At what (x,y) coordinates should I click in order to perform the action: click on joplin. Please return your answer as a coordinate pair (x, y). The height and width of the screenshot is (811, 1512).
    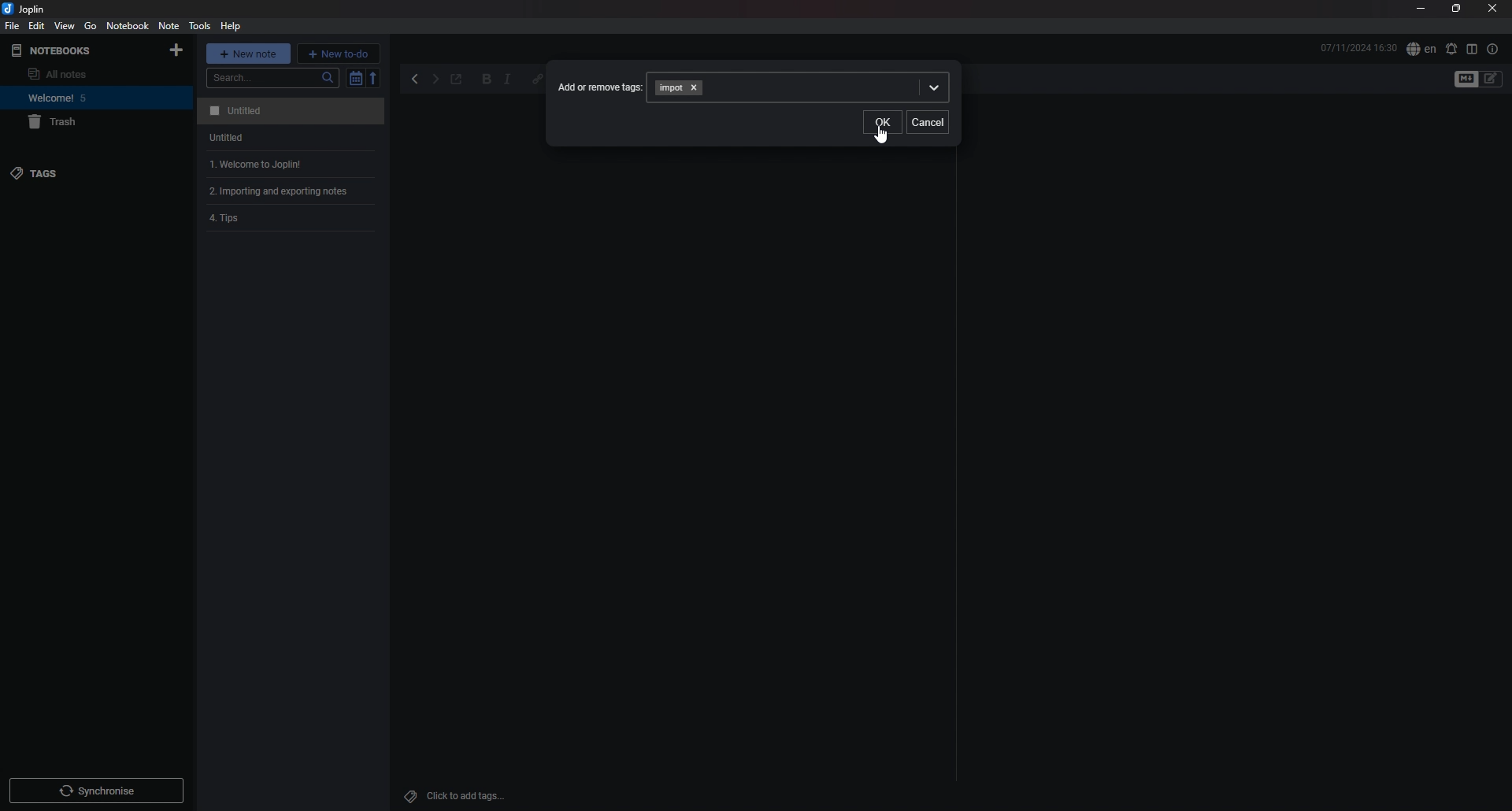
    Looking at the image, I should click on (27, 9).